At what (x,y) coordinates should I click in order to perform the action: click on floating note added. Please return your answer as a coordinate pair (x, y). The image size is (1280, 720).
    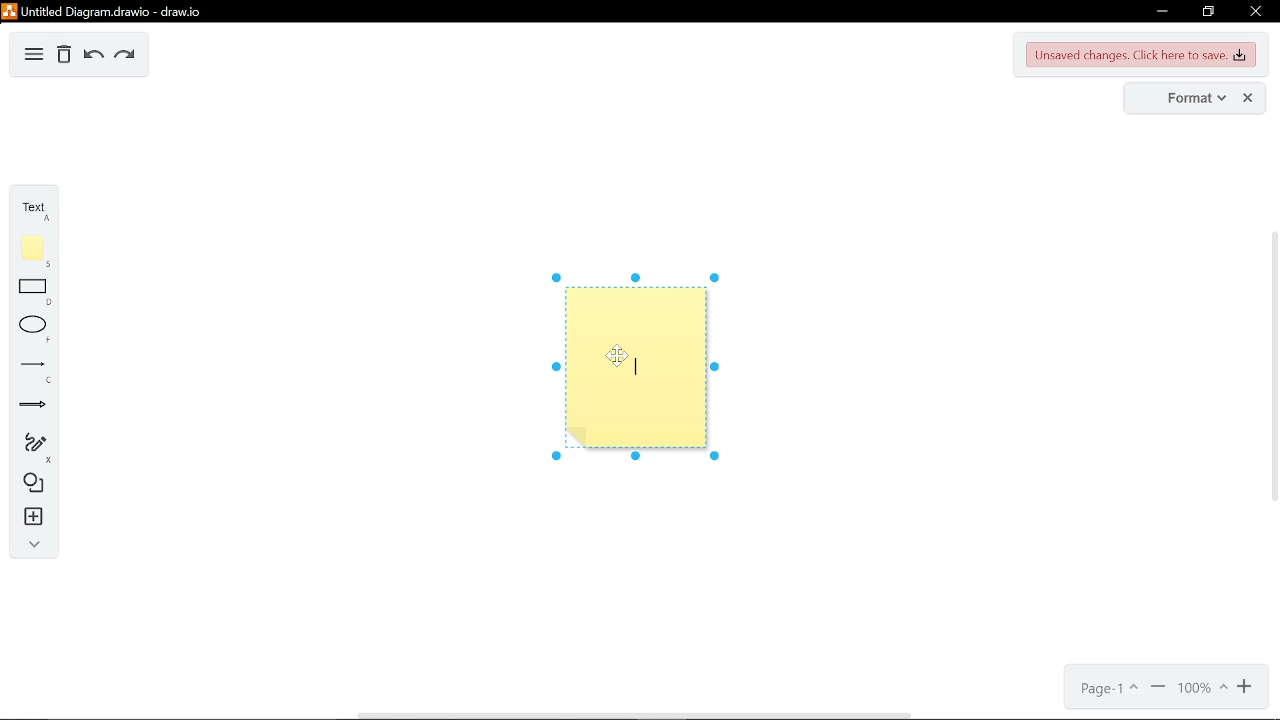
    Looking at the image, I should click on (631, 374).